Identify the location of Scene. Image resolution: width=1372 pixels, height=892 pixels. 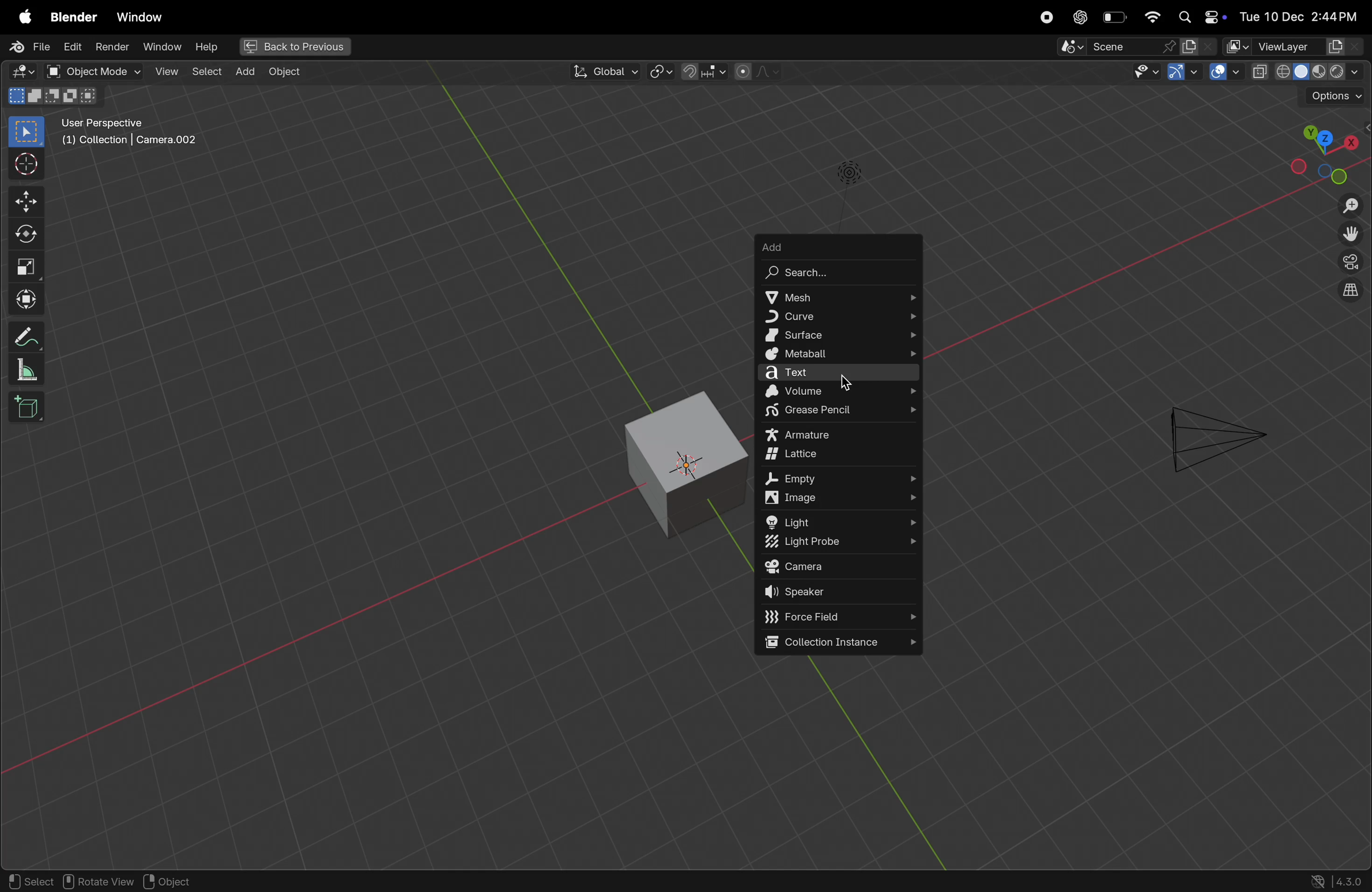
(1108, 48).